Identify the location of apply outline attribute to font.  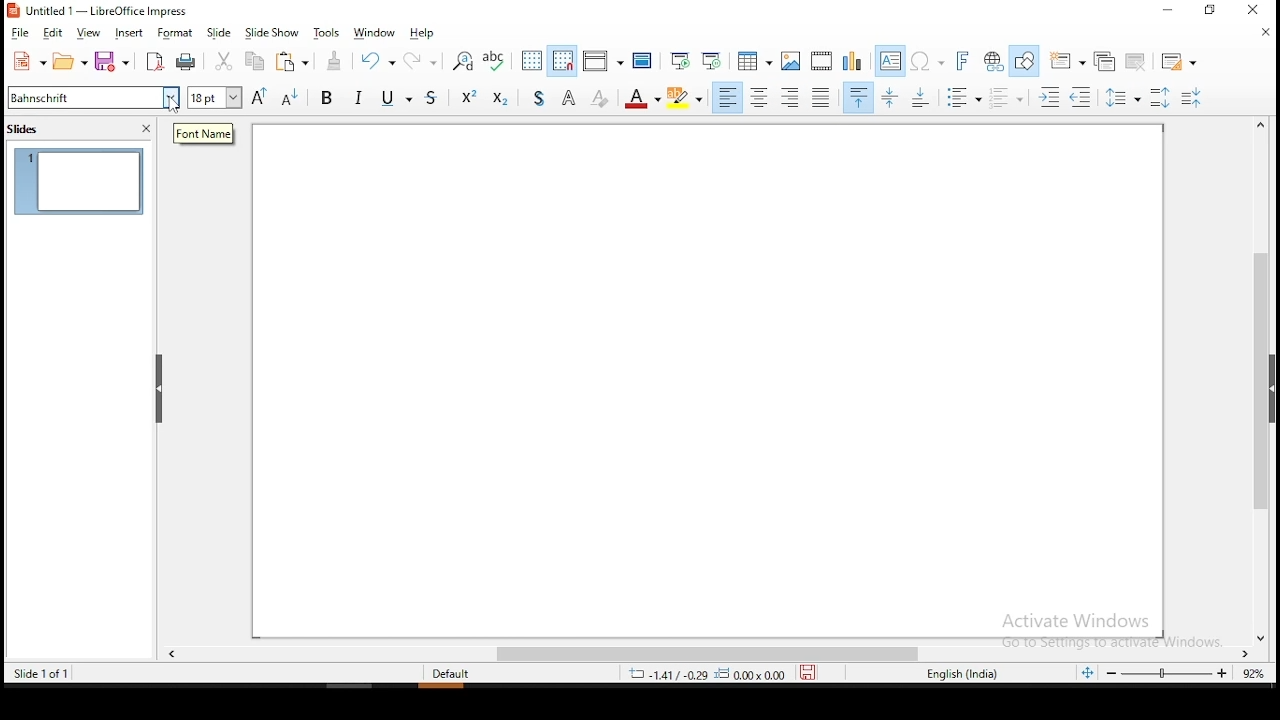
(569, 98).